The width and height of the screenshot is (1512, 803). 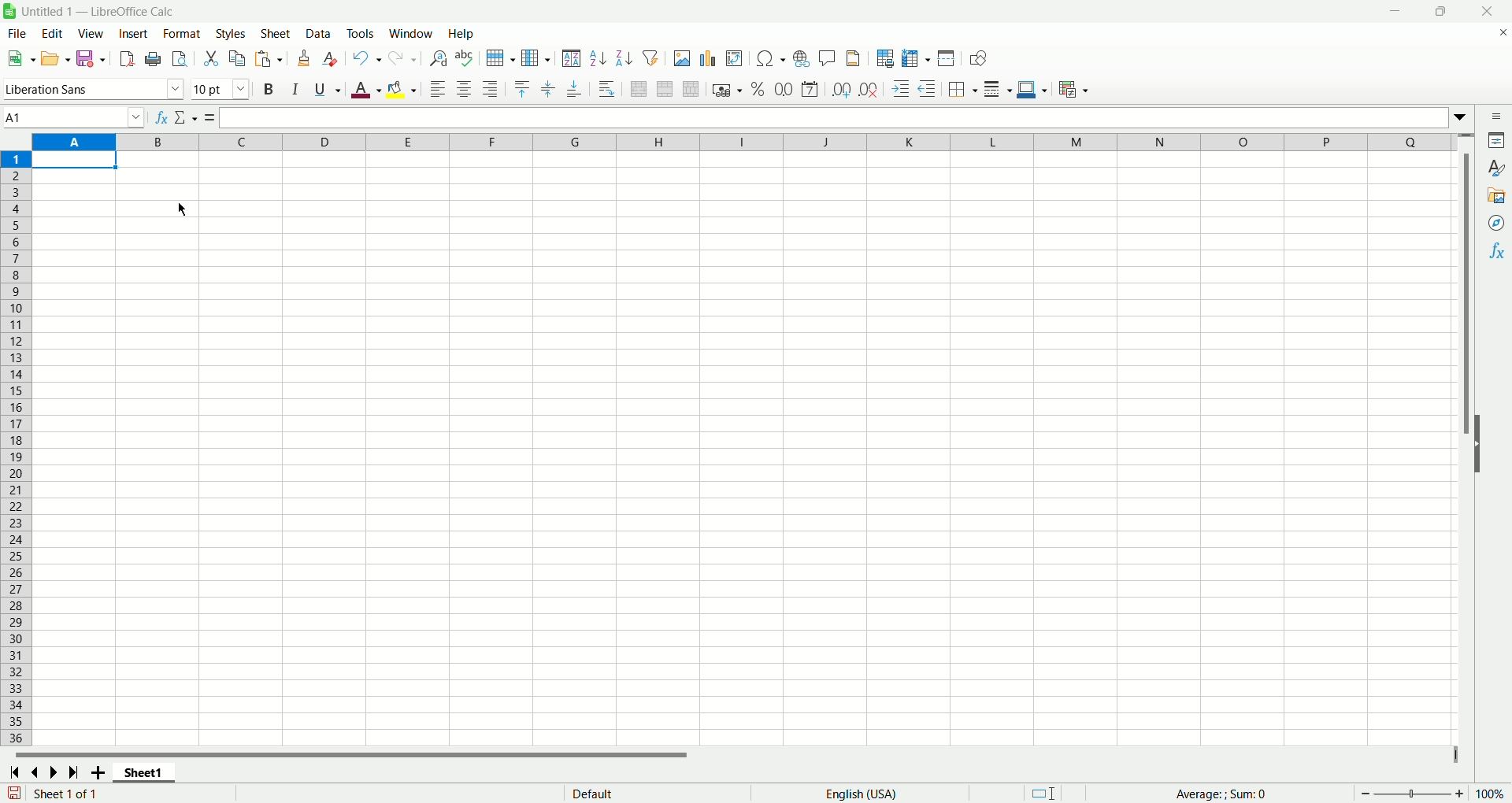 I want to click on Open, so click(x=54, y=61).